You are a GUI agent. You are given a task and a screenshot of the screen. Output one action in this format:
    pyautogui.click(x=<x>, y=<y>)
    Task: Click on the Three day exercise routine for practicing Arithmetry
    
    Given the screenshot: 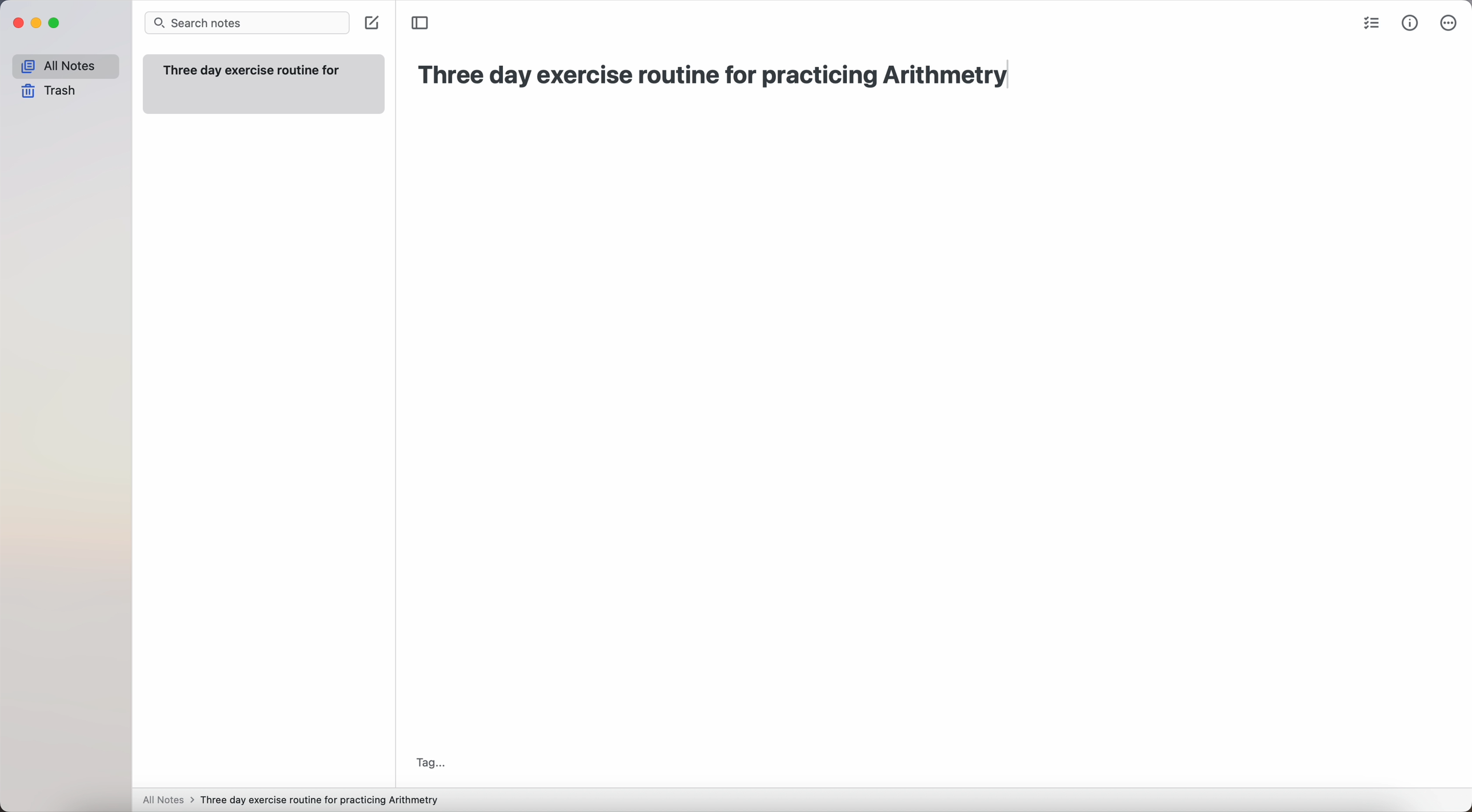 What is the action you would take?
    pyautogui.click(x=323, y=800)
    